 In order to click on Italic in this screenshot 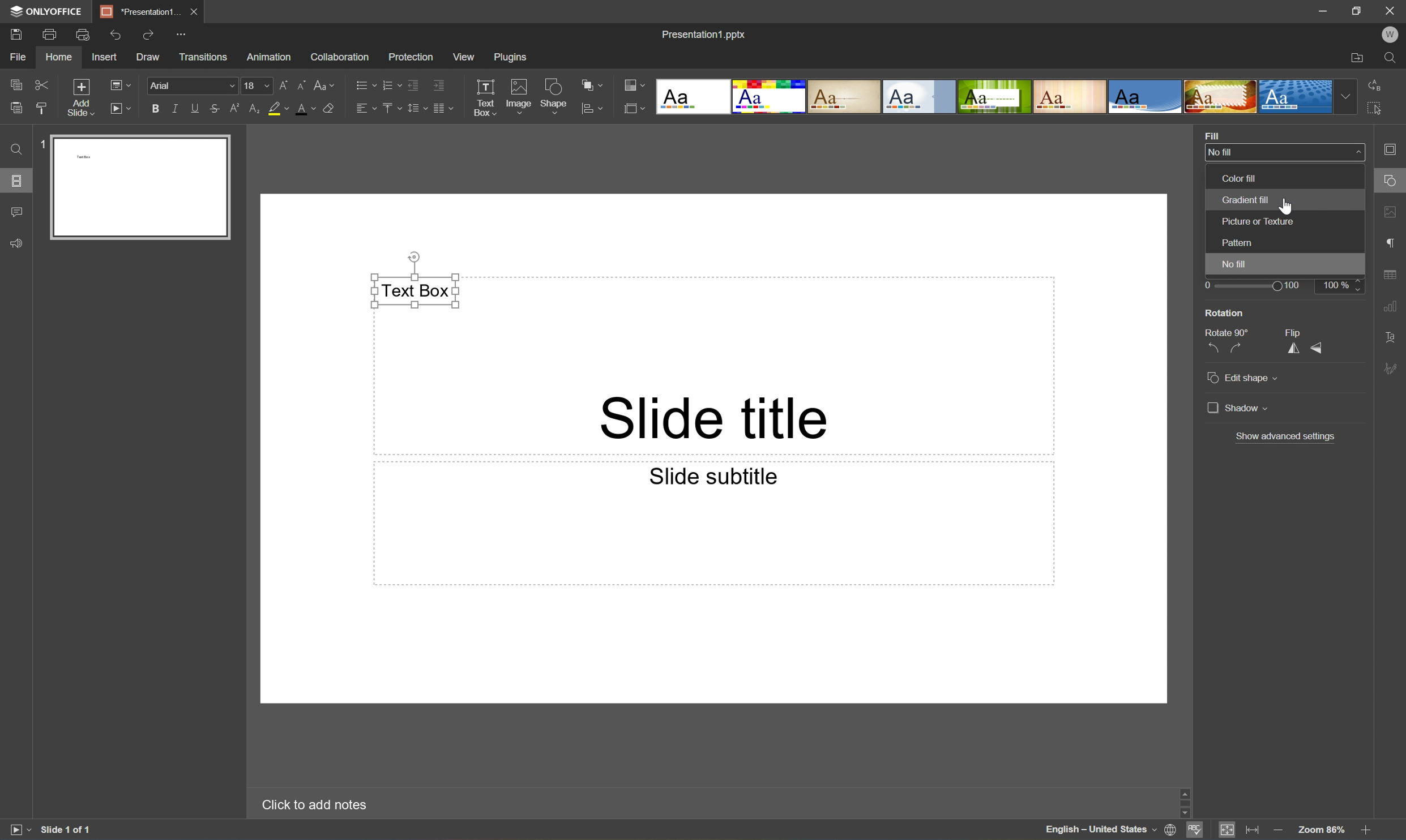, I will do `click(174, 109)`.